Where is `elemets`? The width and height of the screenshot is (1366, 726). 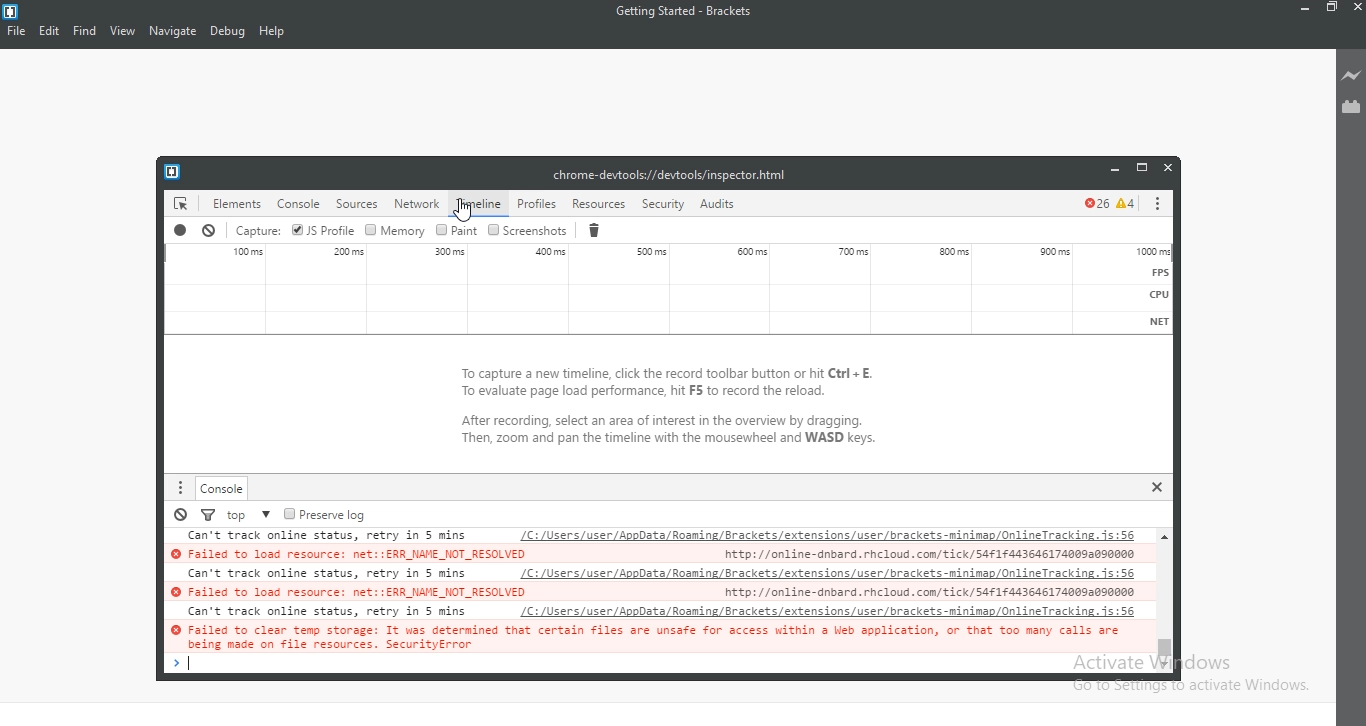
elemets is located at coordinates (235, 203).